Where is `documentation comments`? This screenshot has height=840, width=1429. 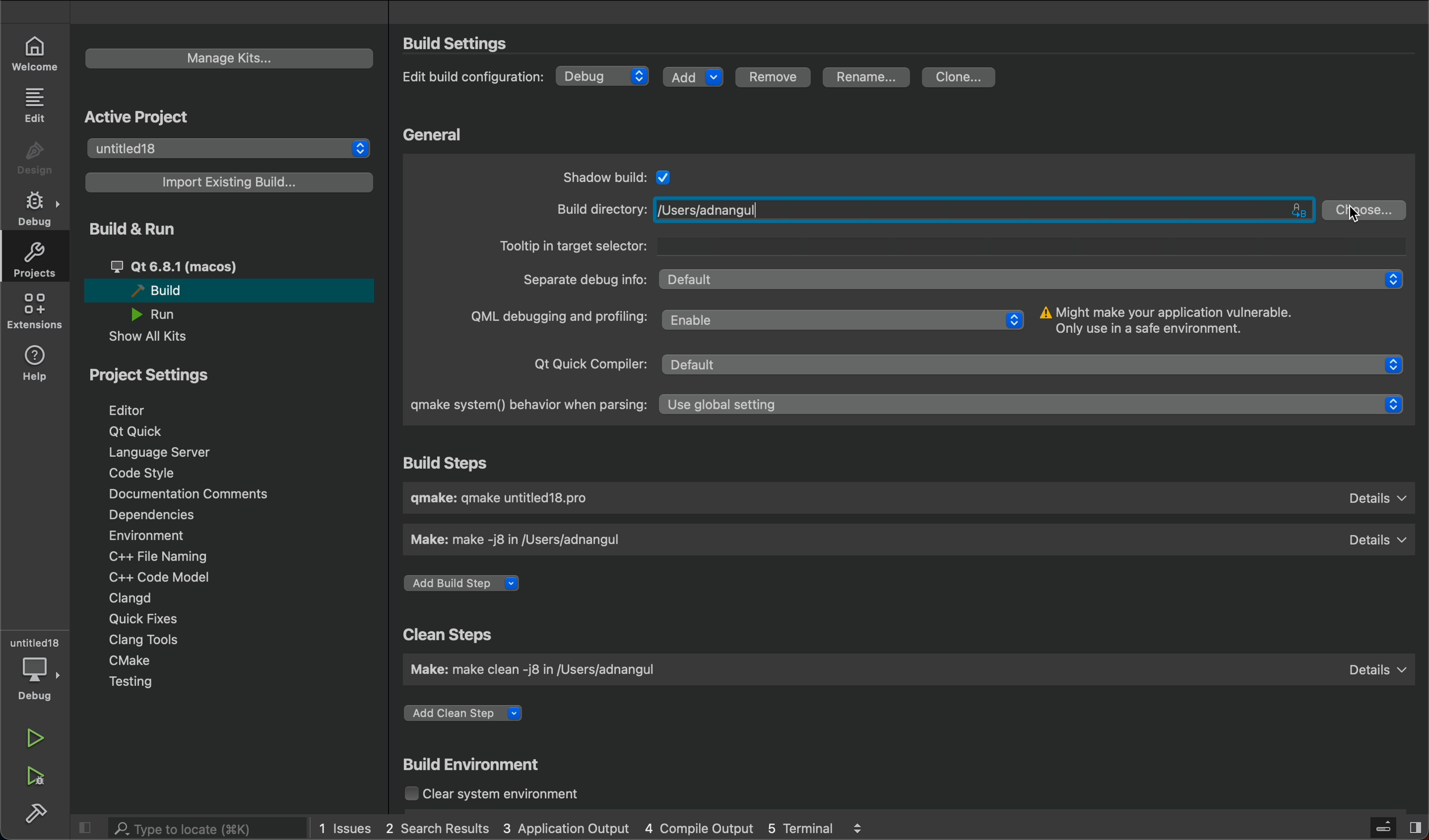
documentation comments is located at coordinates (205, 495).